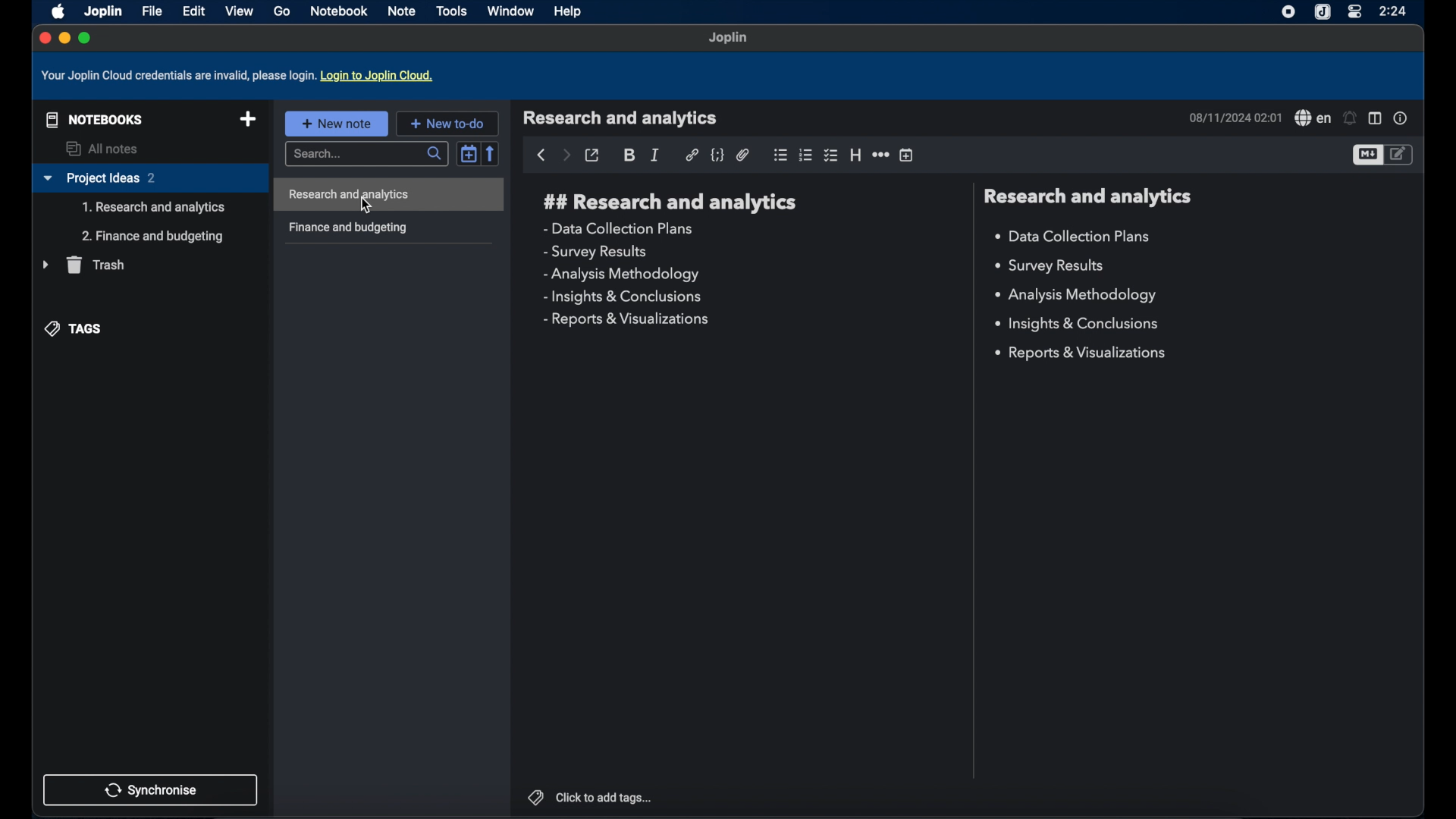 Image resolution: width=1456 pixels, height=819 pixels. I want to click on trash menu, so click(83, 265).